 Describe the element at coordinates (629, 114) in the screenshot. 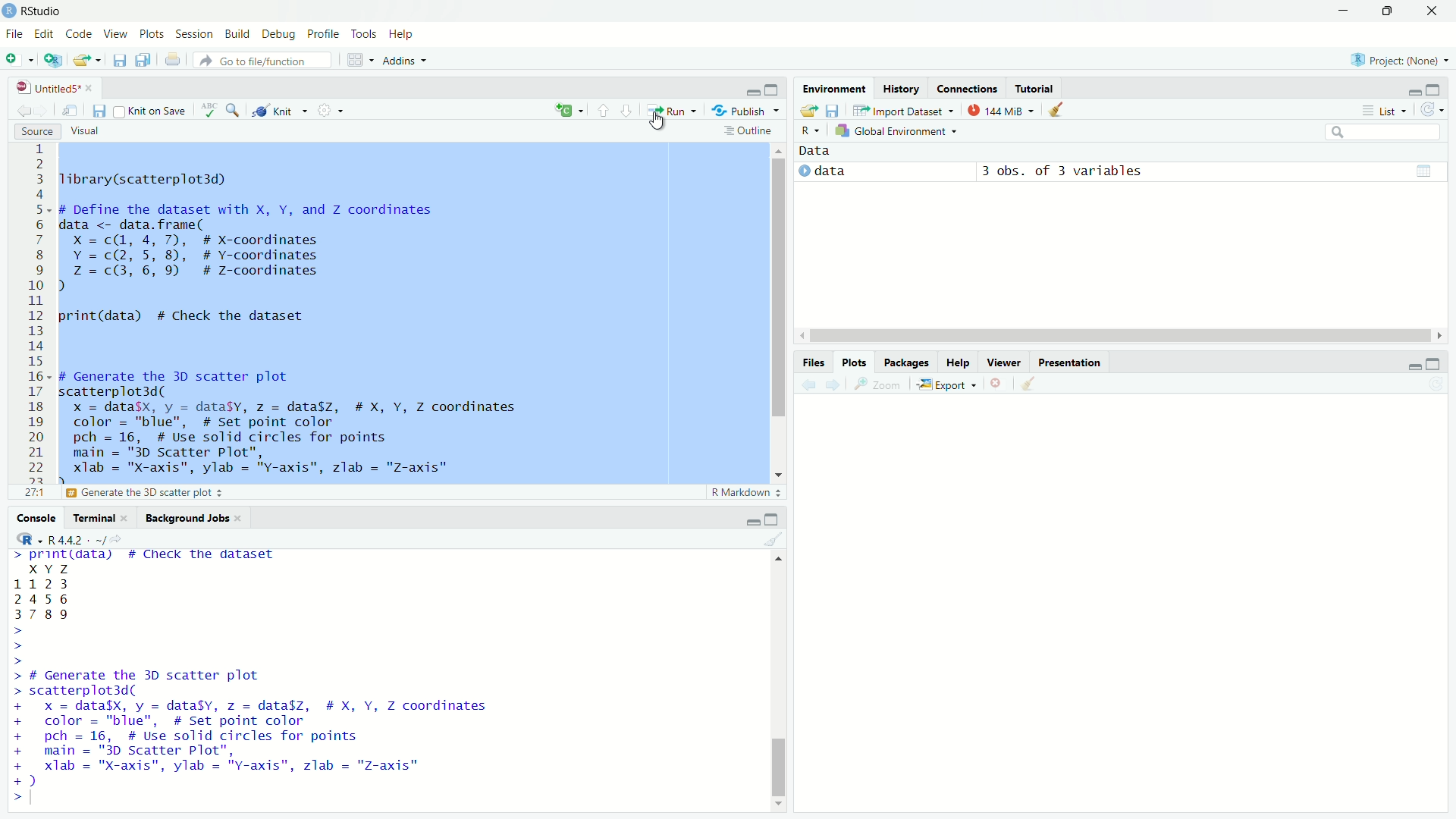

I see `go to next section/chunk` at that location.